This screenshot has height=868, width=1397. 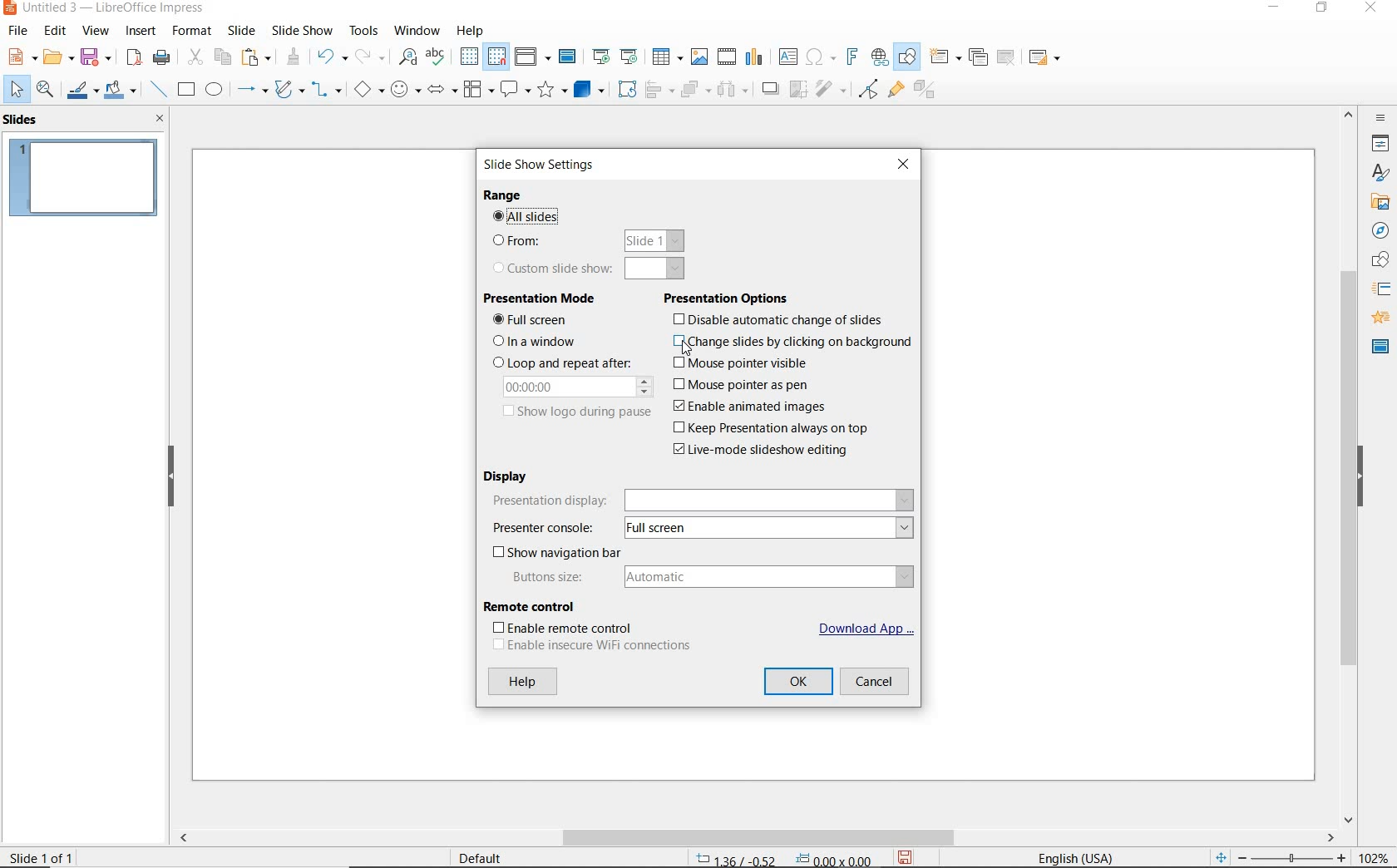 What do you see at coordinates (303, 31) in the screenshot?
I see `SLIDESHOW` at bounding box center [303, 31].